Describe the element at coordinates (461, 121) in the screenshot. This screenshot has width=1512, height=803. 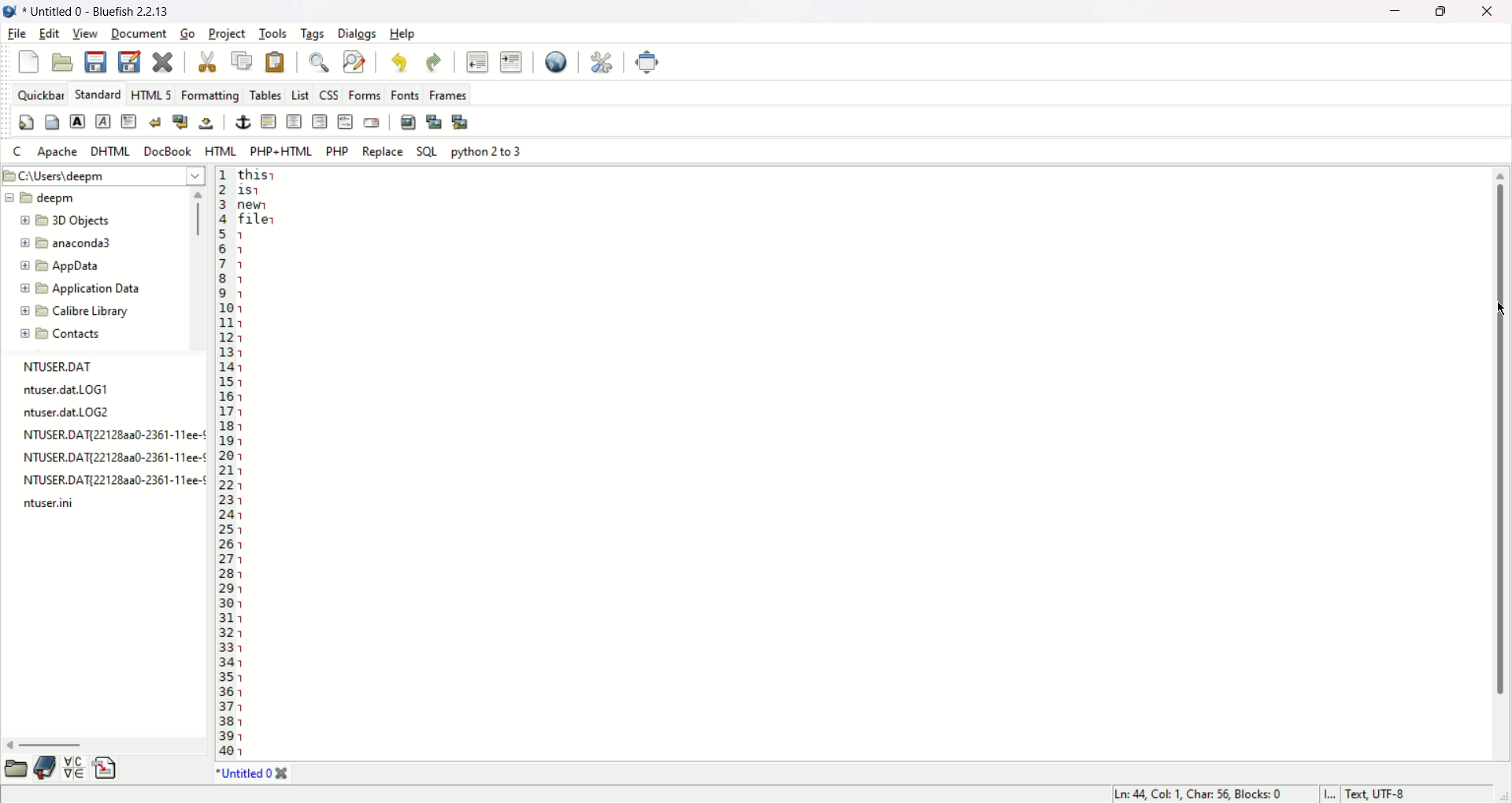
I see `multi thumbnail` at that location.